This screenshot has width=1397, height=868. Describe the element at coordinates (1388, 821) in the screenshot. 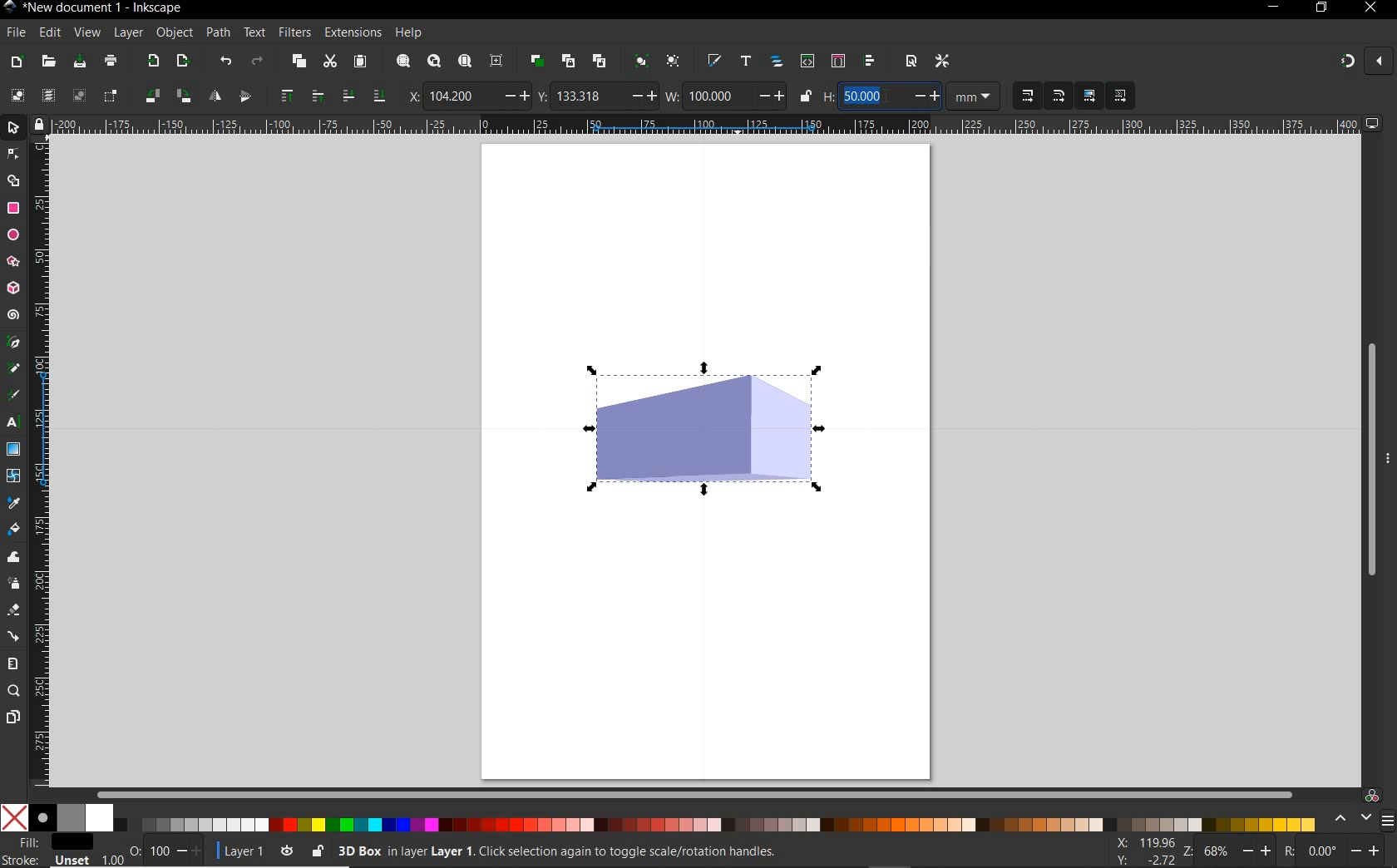

I see `menu` at that location.